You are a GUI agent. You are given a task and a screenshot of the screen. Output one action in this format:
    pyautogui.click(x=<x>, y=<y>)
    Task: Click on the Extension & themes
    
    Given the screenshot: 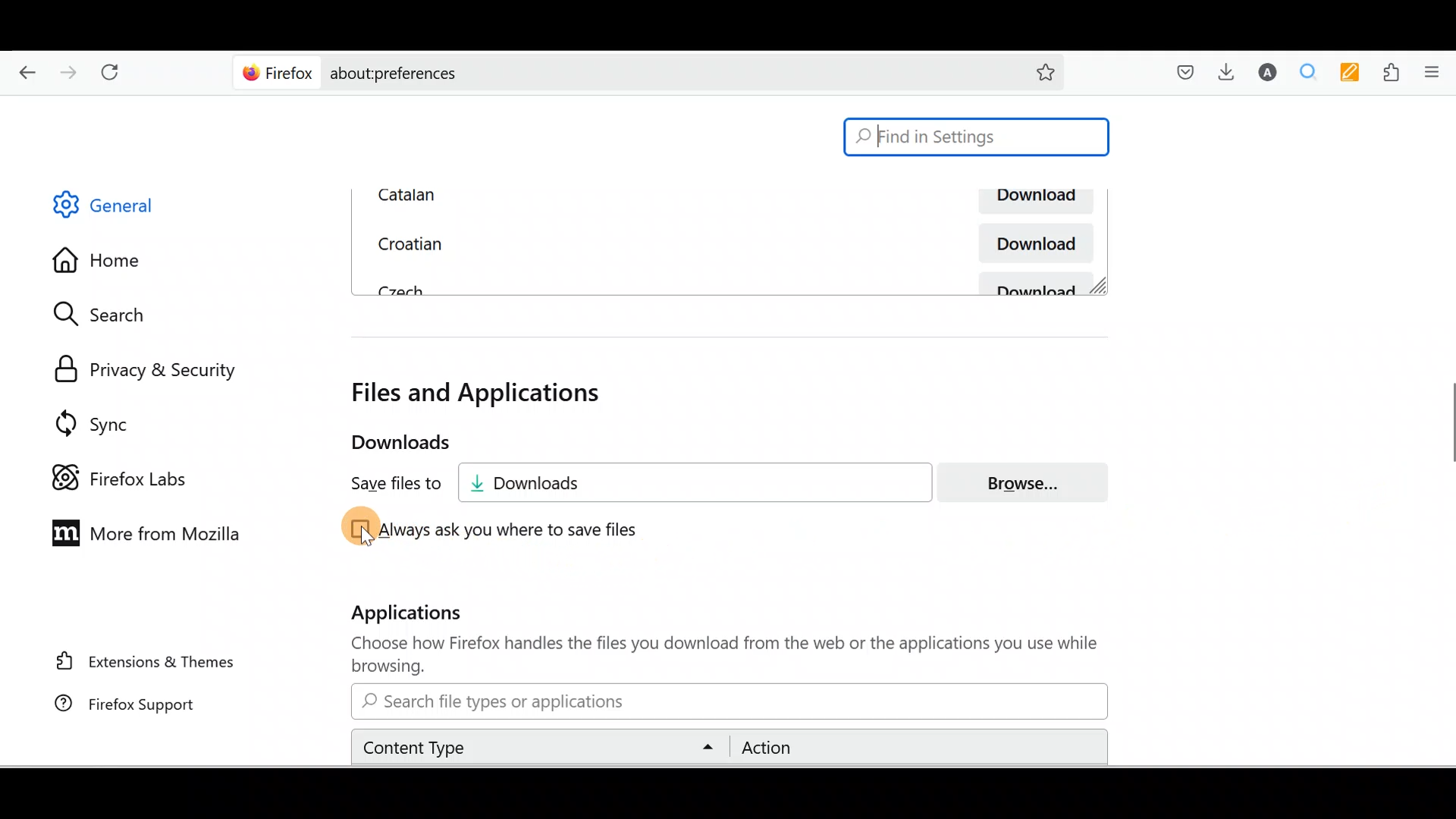 What is the action you would take?
    pyautogui.click(x=134, y=665)
    